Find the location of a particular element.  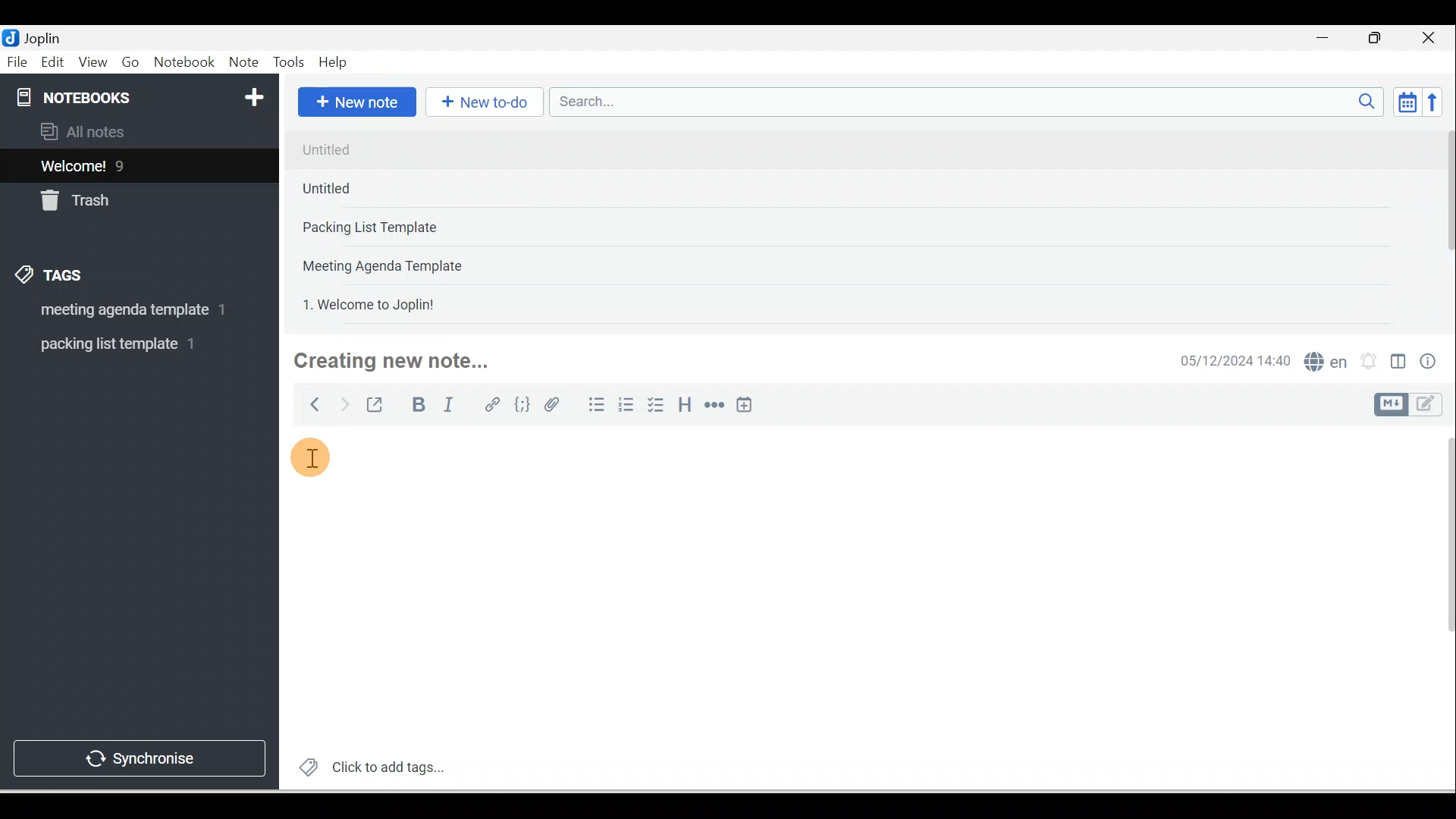

Edit is located at coordinates (54, 63).